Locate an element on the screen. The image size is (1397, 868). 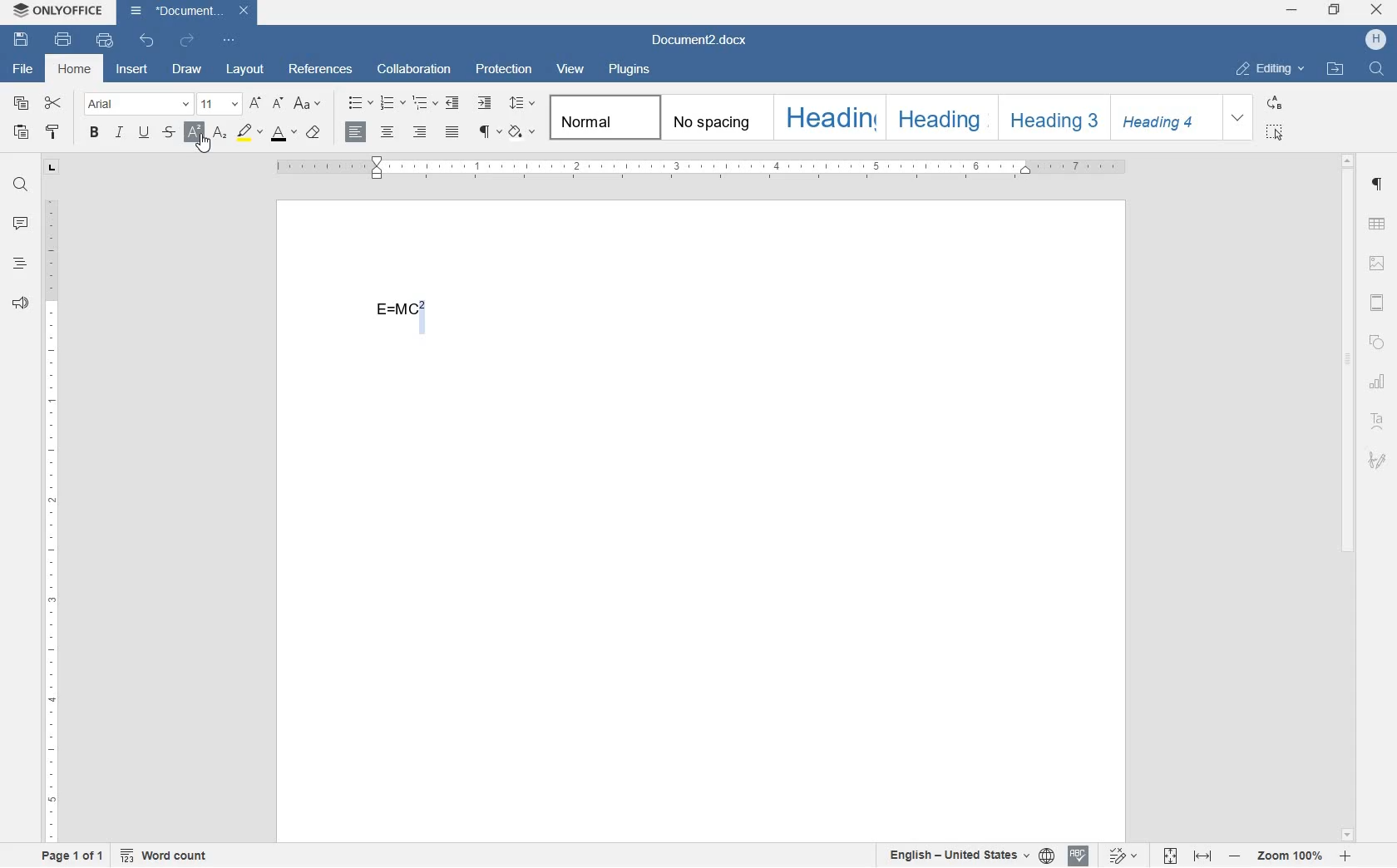
system name is located at coordinates (56, 10).